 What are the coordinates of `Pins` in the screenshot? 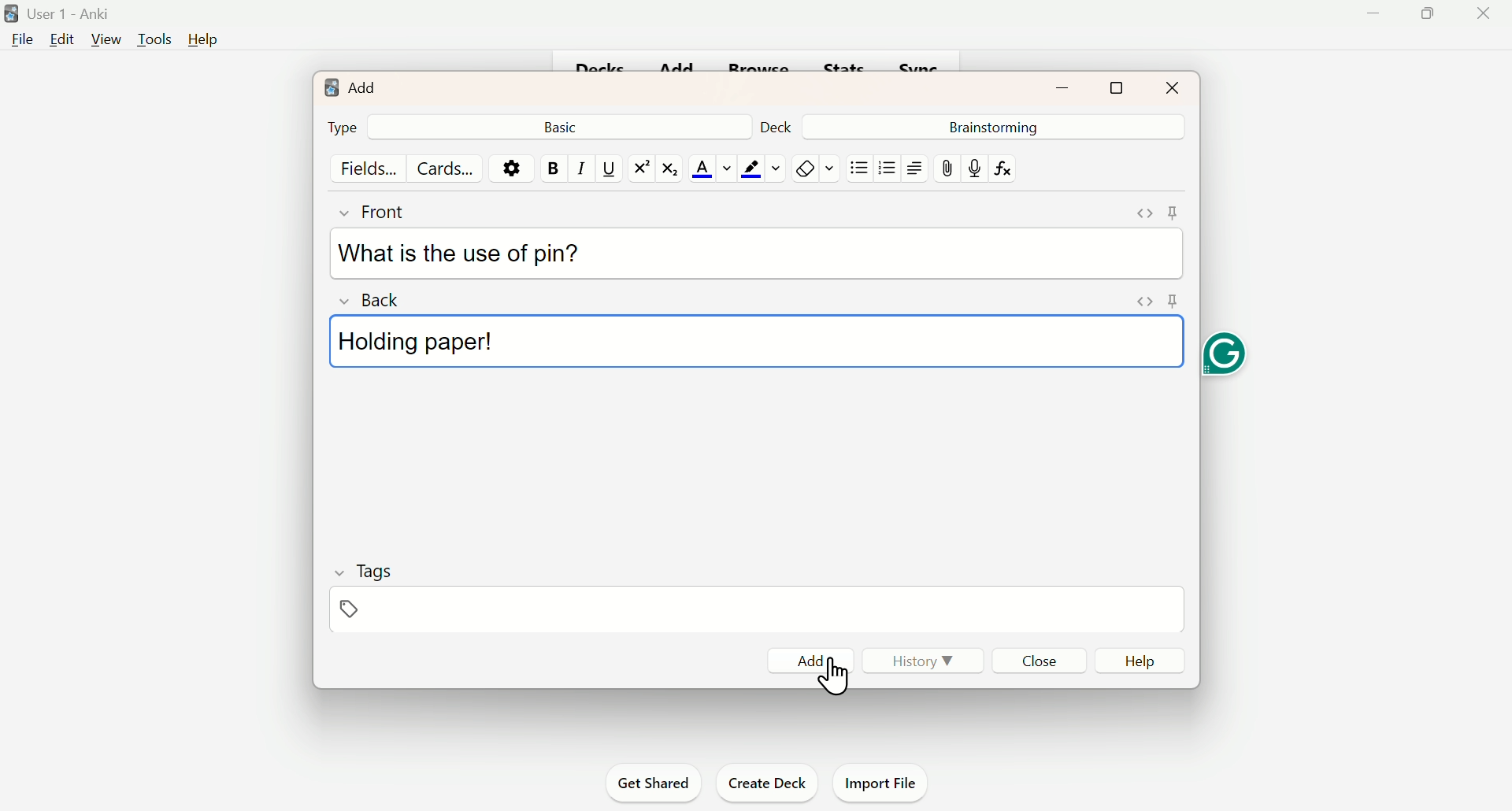 It's located at (1152, 302).